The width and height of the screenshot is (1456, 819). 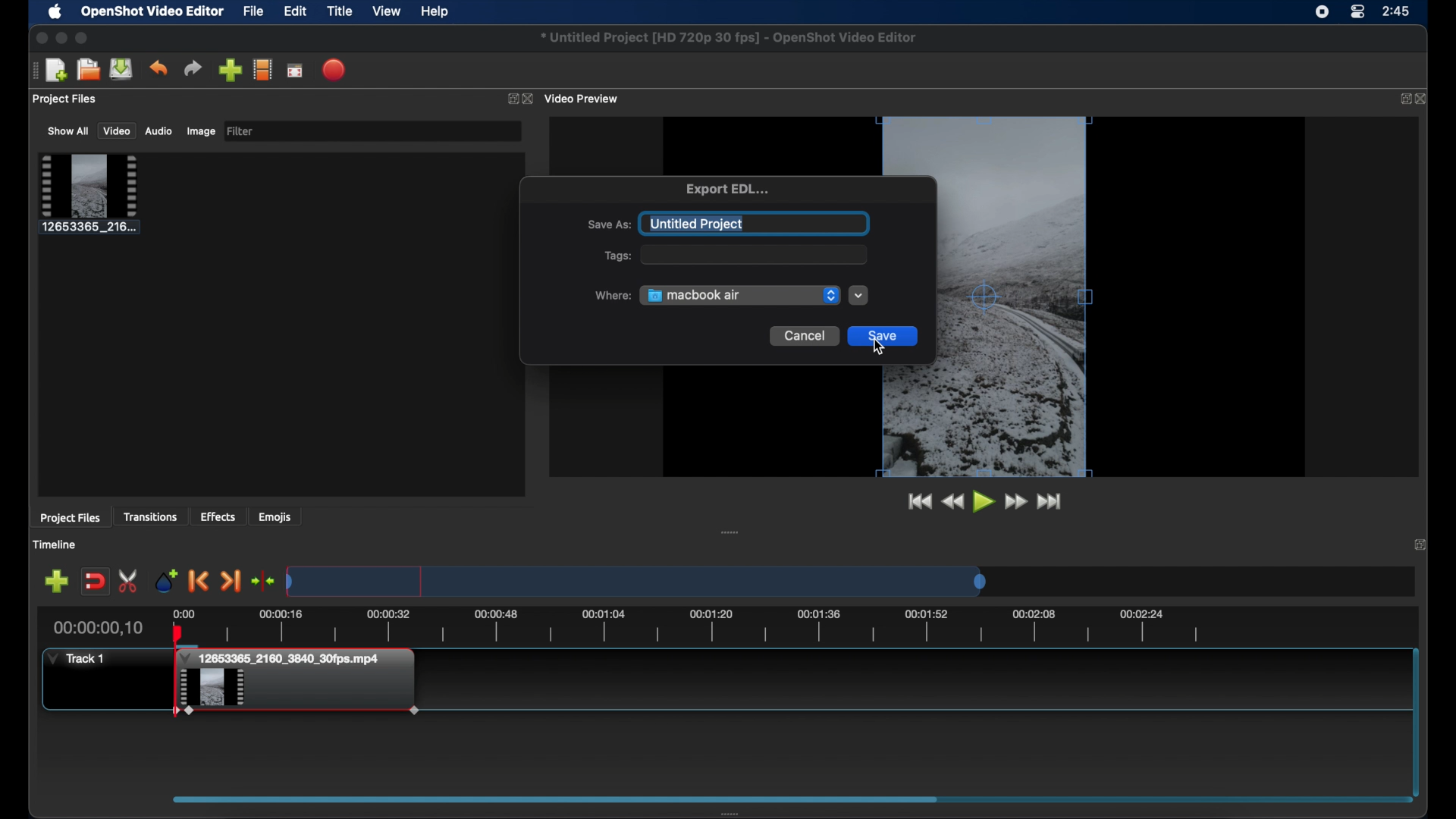 I want to click on close, so click(x=1421, y=544).